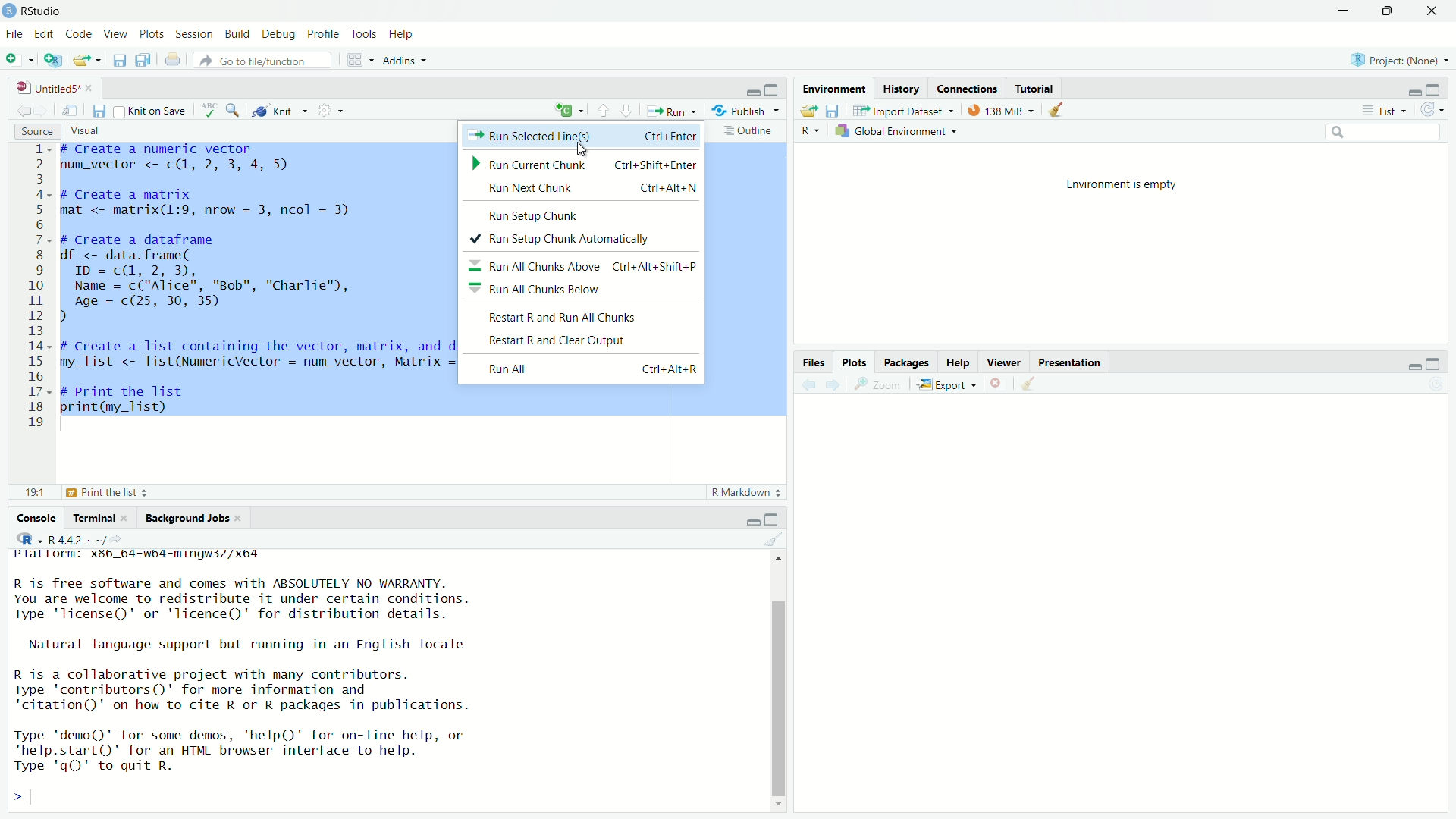 Image resolution: width=1456 pixels, height=819 pixels. I want to click on save, so click(99, 111).